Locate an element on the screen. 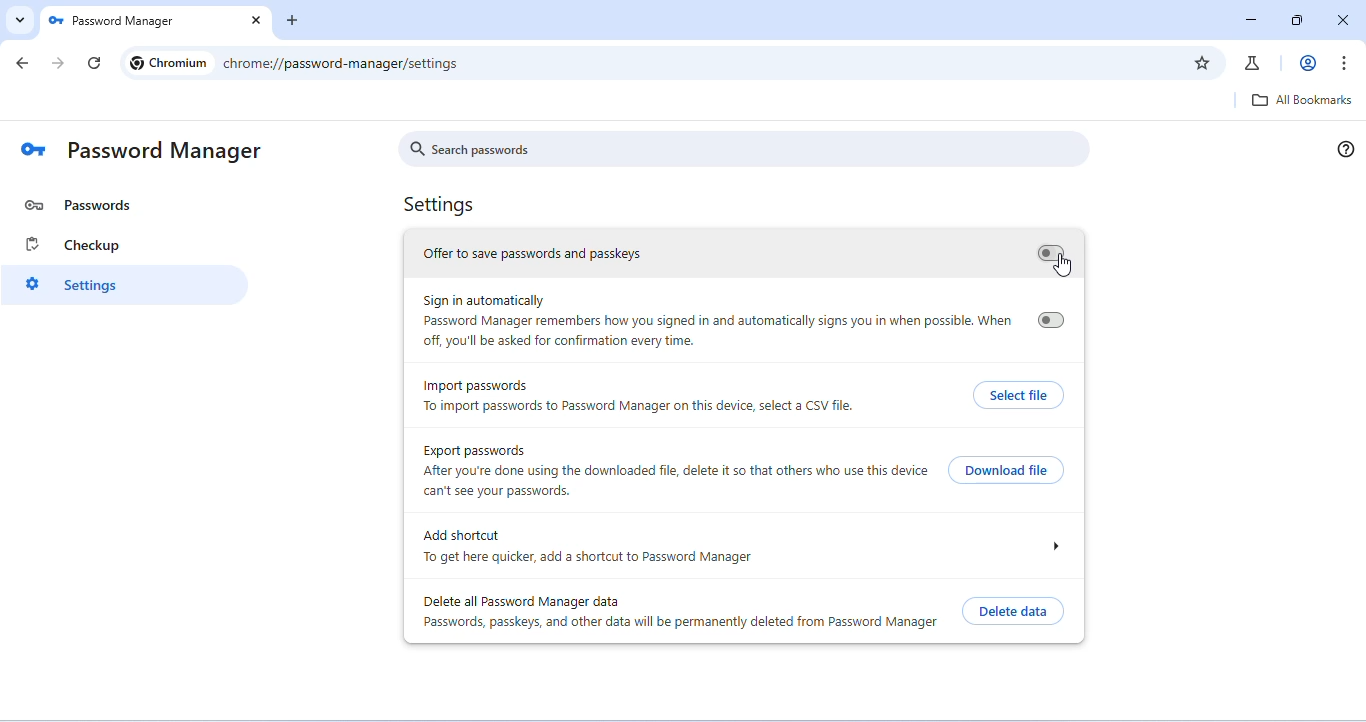 This screenshot has height=722, width=1366. settings is located at coordinates (125, 286).